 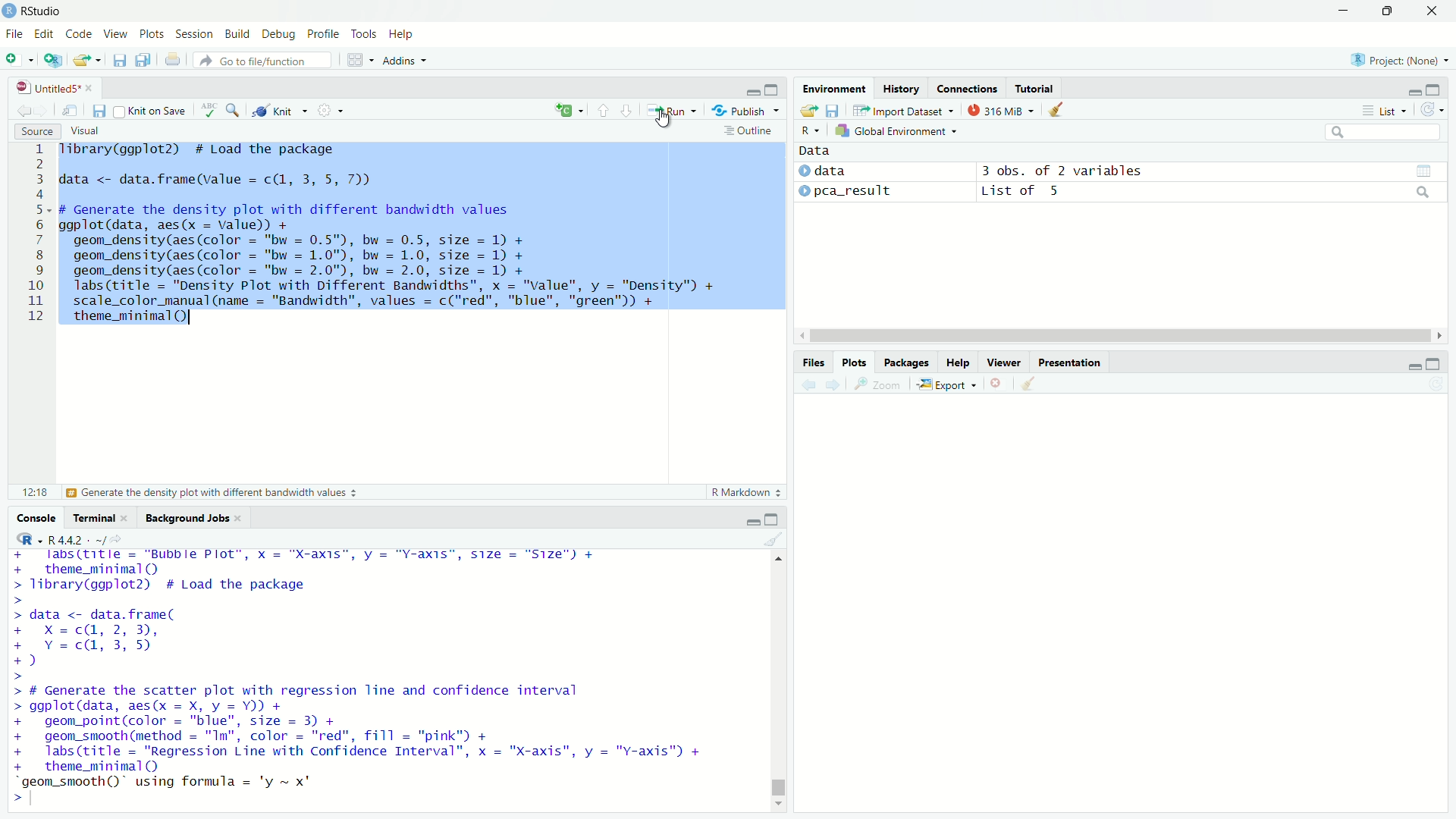 I want to click on cursor, so click(x=661, y=118).